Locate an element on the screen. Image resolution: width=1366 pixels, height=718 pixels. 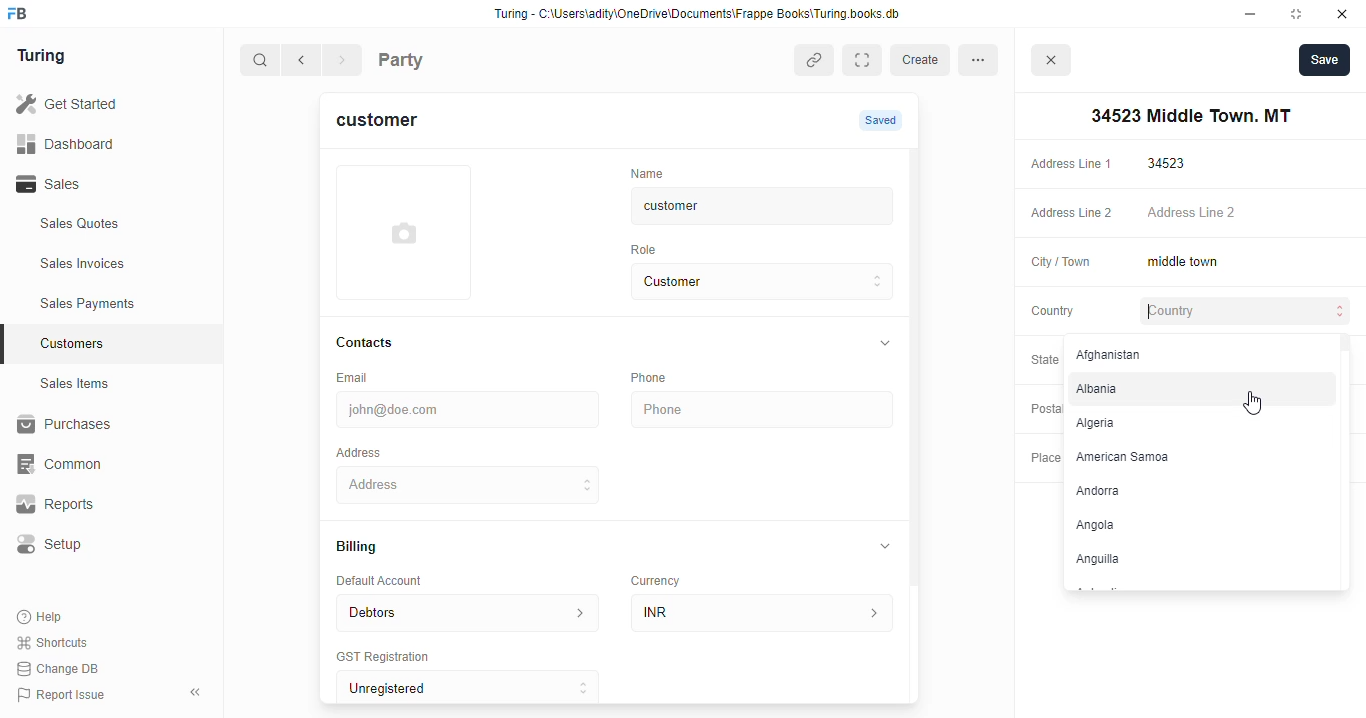
Phone is located at coordinates (767, 410).